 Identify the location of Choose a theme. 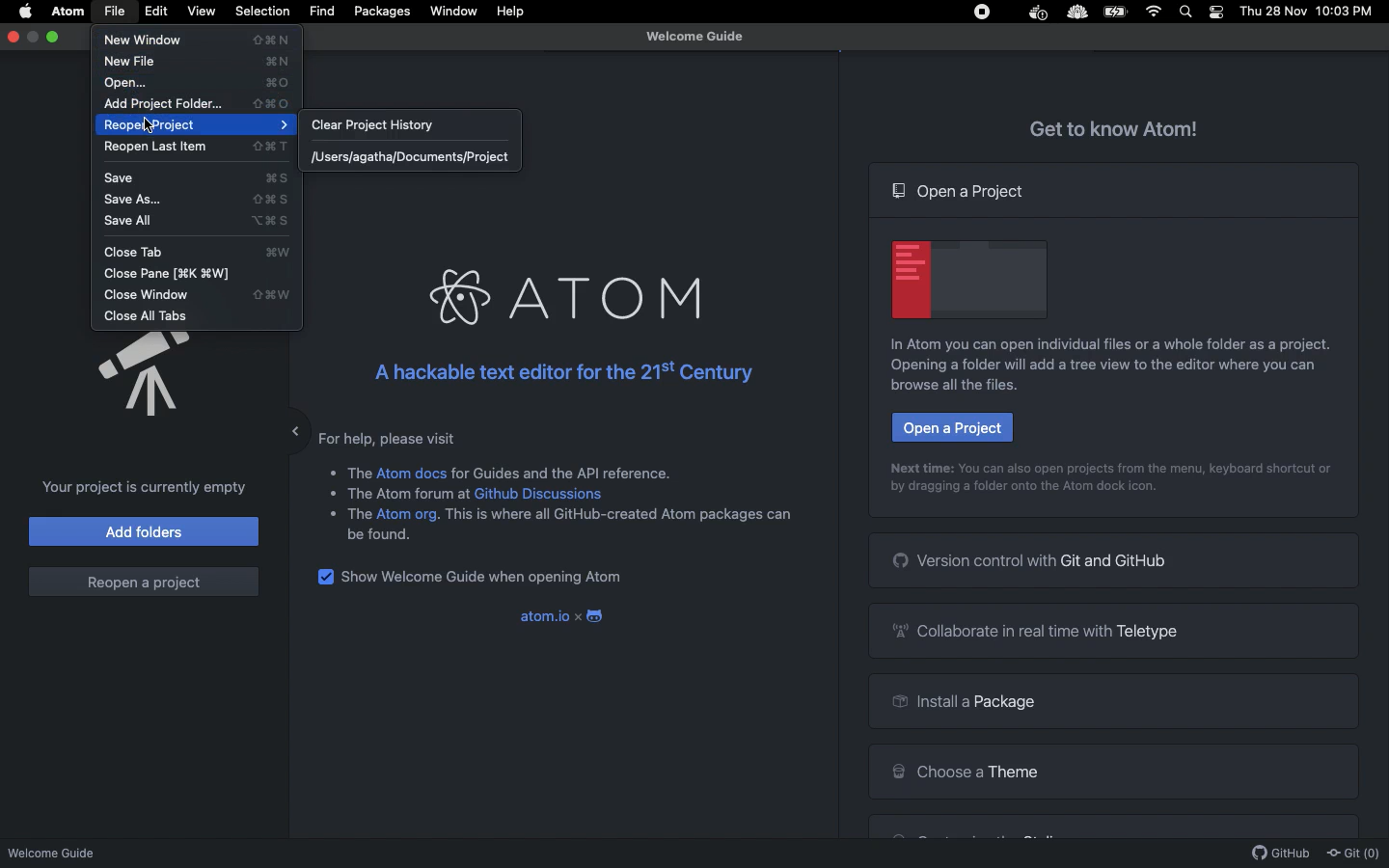
(965, 769).